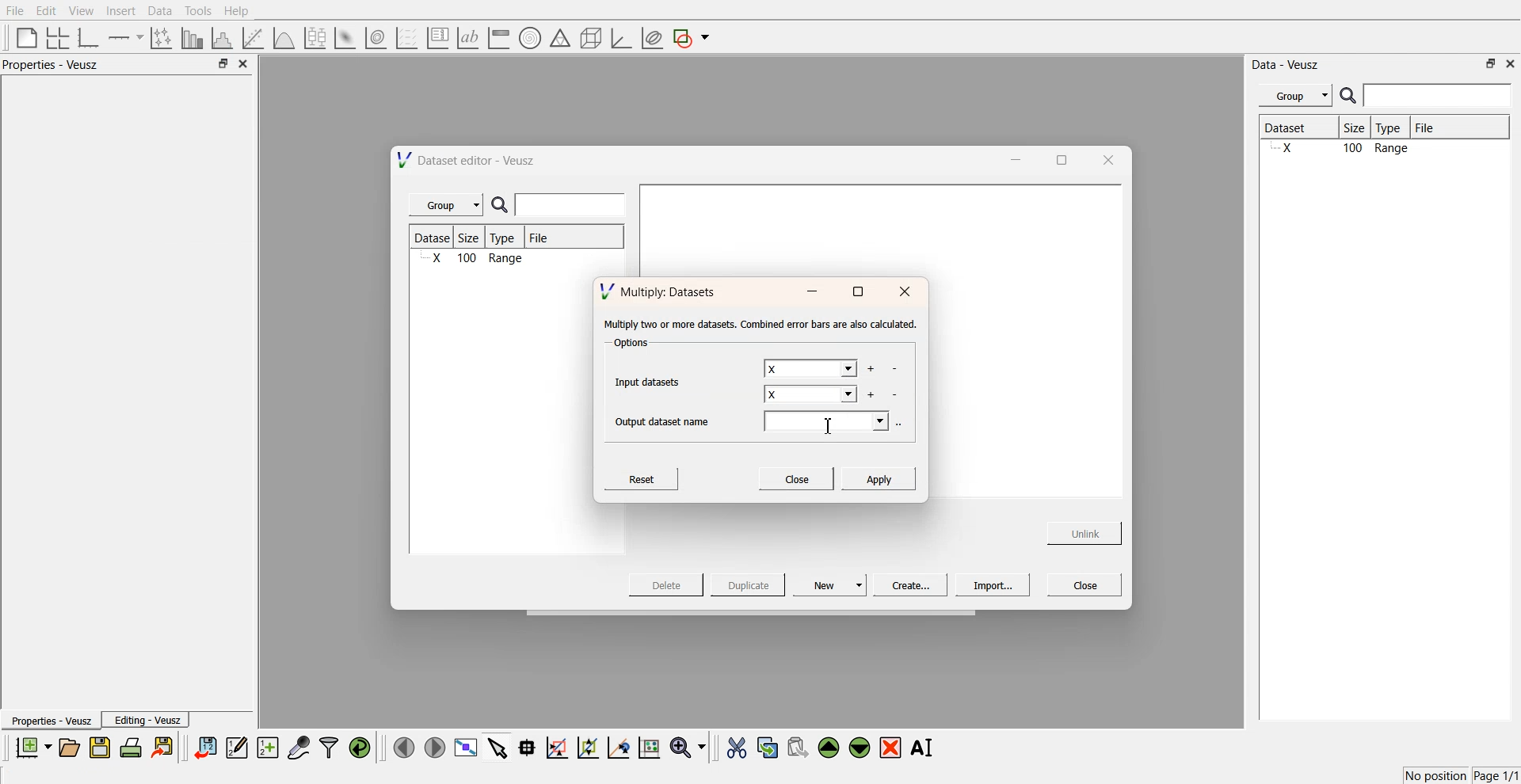  I want to click on enter search field, so click(1439, 96).